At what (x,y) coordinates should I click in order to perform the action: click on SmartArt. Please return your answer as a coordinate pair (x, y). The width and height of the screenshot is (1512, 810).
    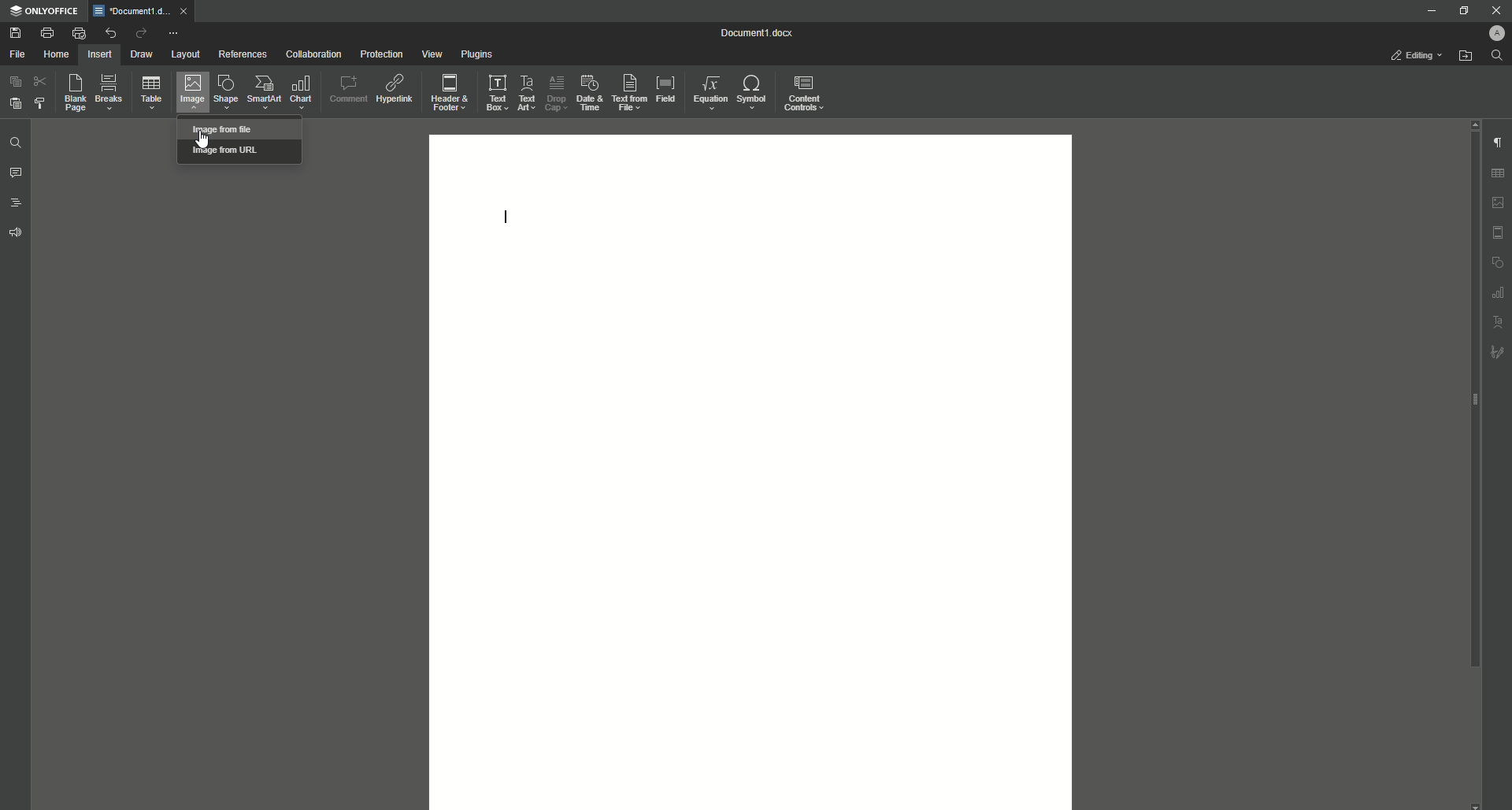
    Looking at the image, I should click on (265, 91).